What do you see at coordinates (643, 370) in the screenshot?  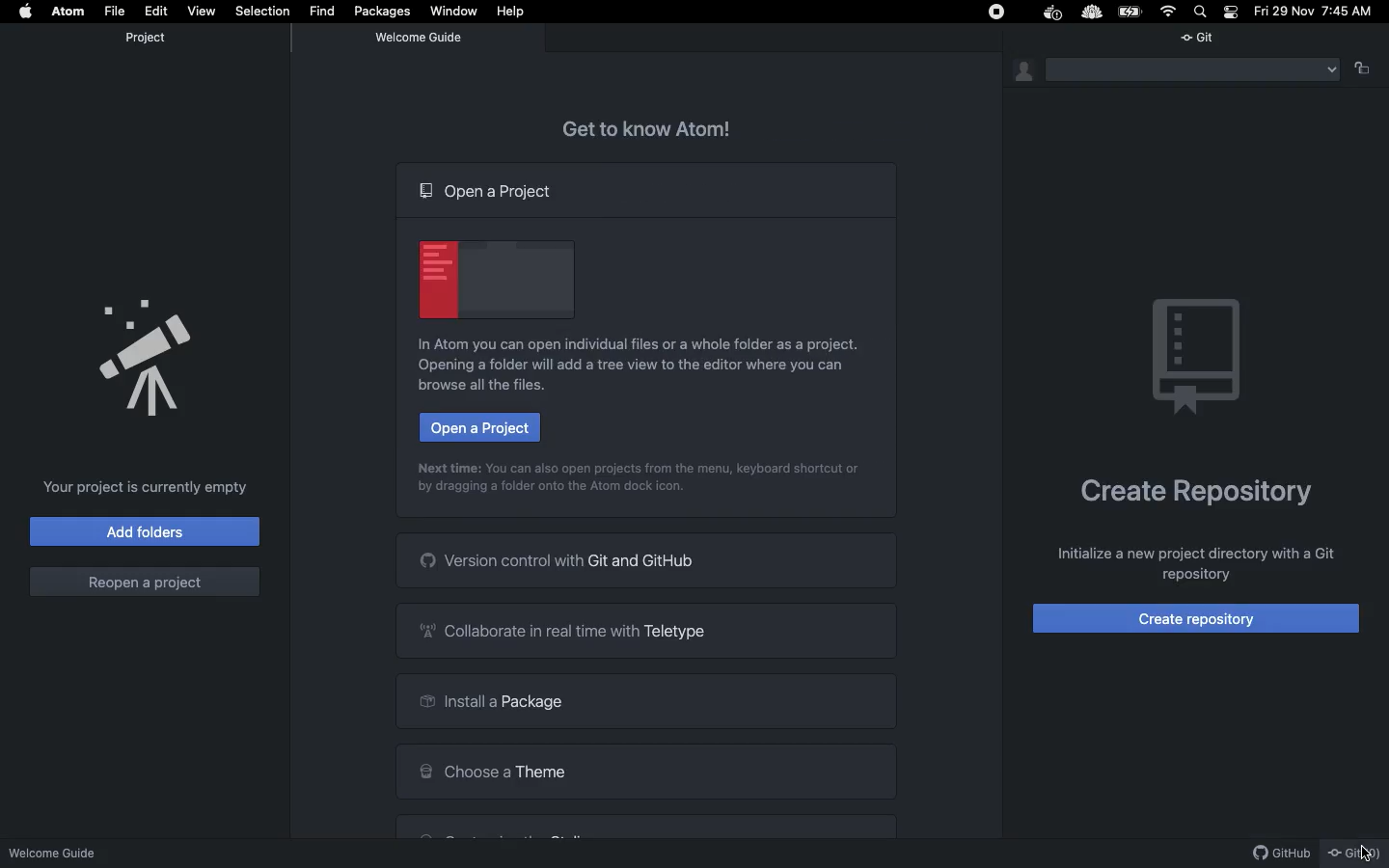 I see `In Atom you can open individual files or a whole folder as a project.
Opening a folder will add a tree view to the editor where you can
browse all the files.` at bounding box center [643, 370].